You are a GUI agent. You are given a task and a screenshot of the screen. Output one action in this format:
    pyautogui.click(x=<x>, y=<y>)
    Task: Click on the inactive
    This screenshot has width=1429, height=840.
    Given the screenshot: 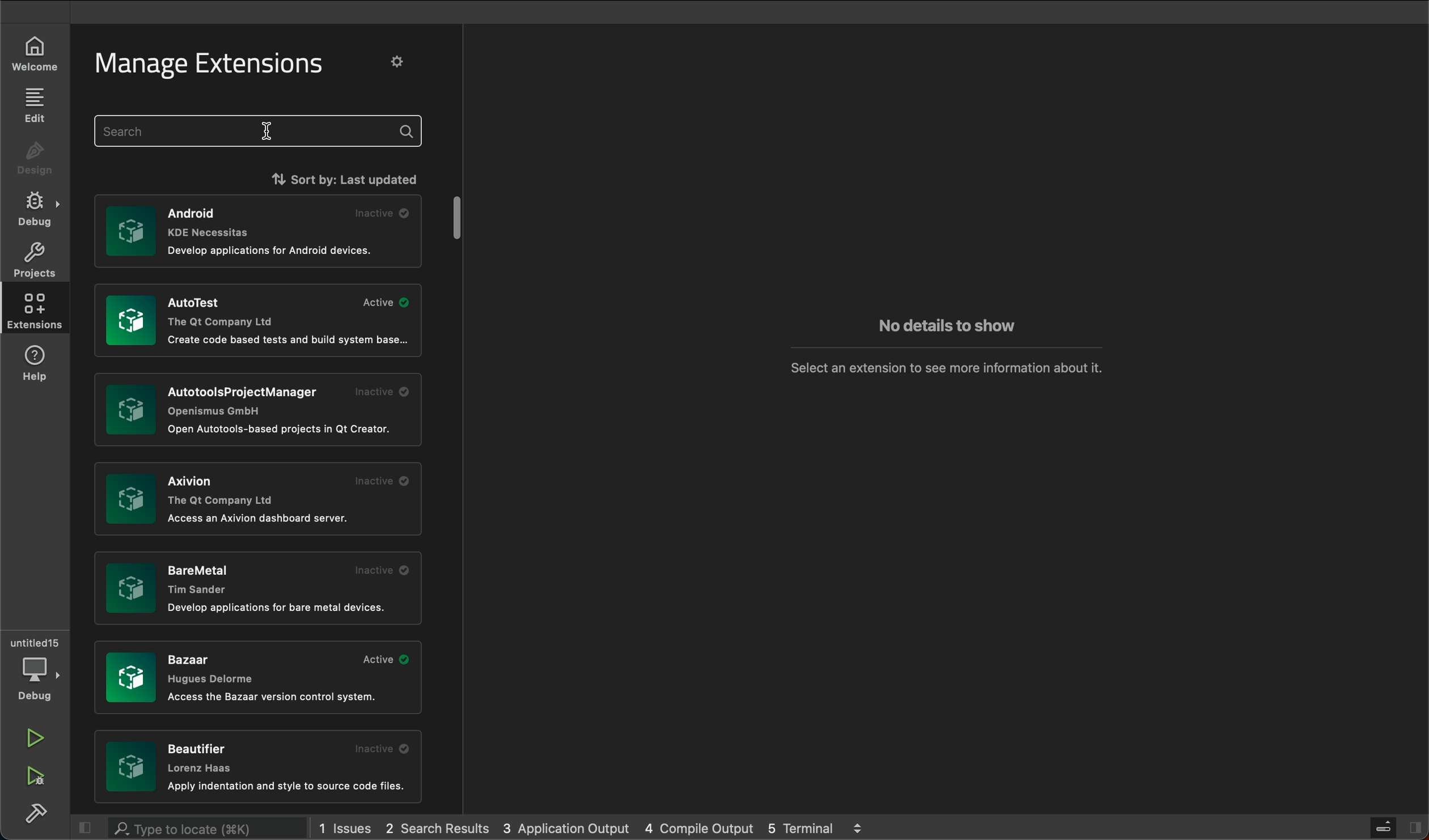 What is the action you would take?
    pyautogui.click(x=383, y=749)
    